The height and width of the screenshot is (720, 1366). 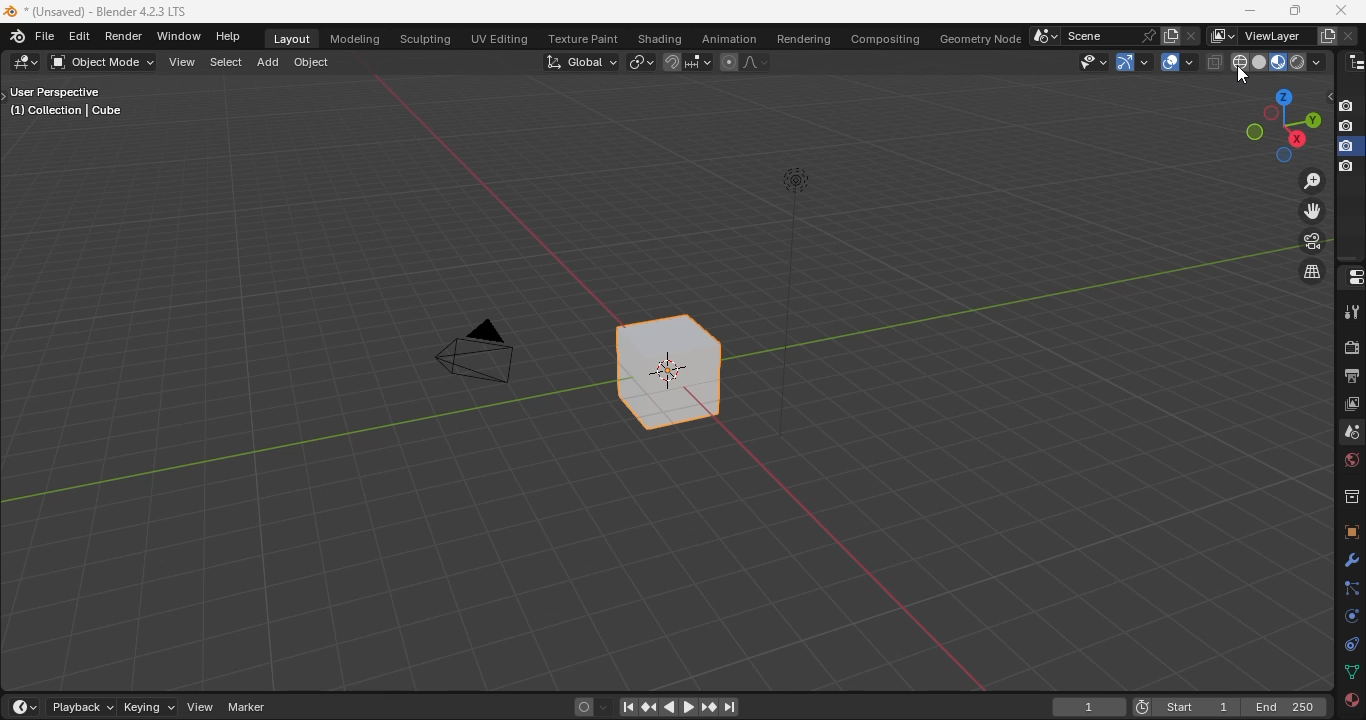 I want to click on scene, so click(x=1351, y=432).